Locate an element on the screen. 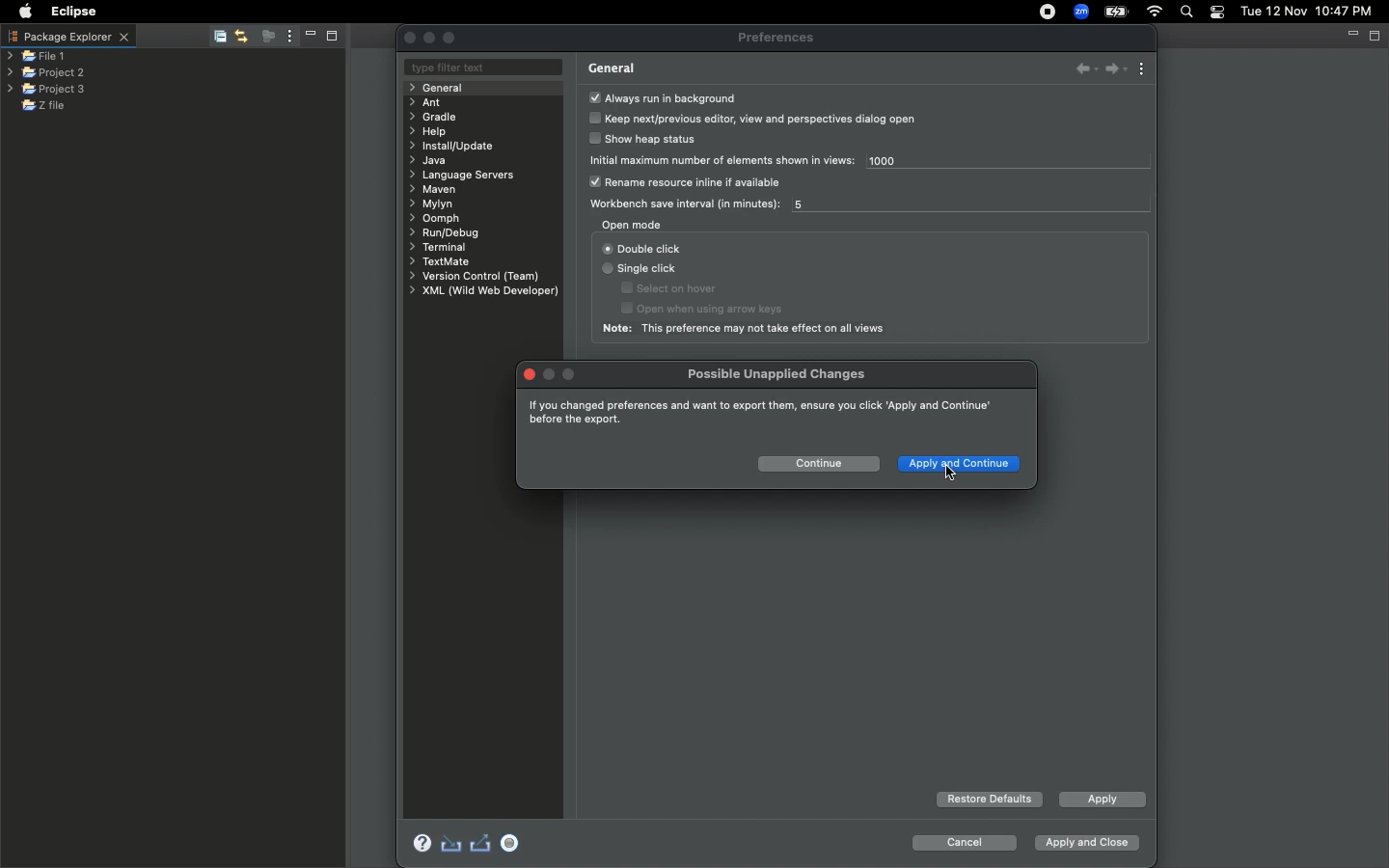  Open when using arrow keys is located at coordinates (720, 310).